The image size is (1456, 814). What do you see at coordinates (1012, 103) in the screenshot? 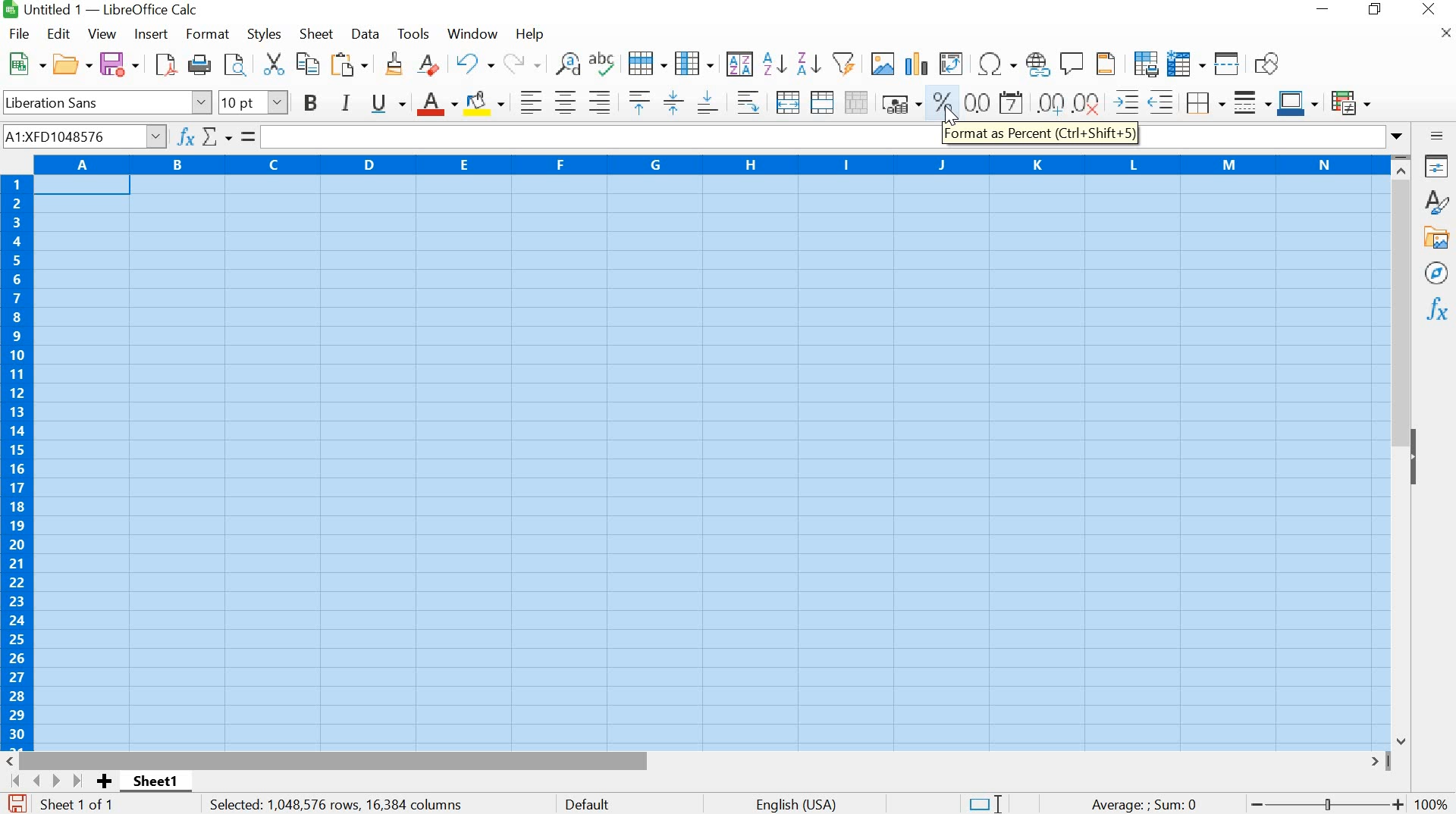
I see `Format as Date` at bounding box center [1012, 103].